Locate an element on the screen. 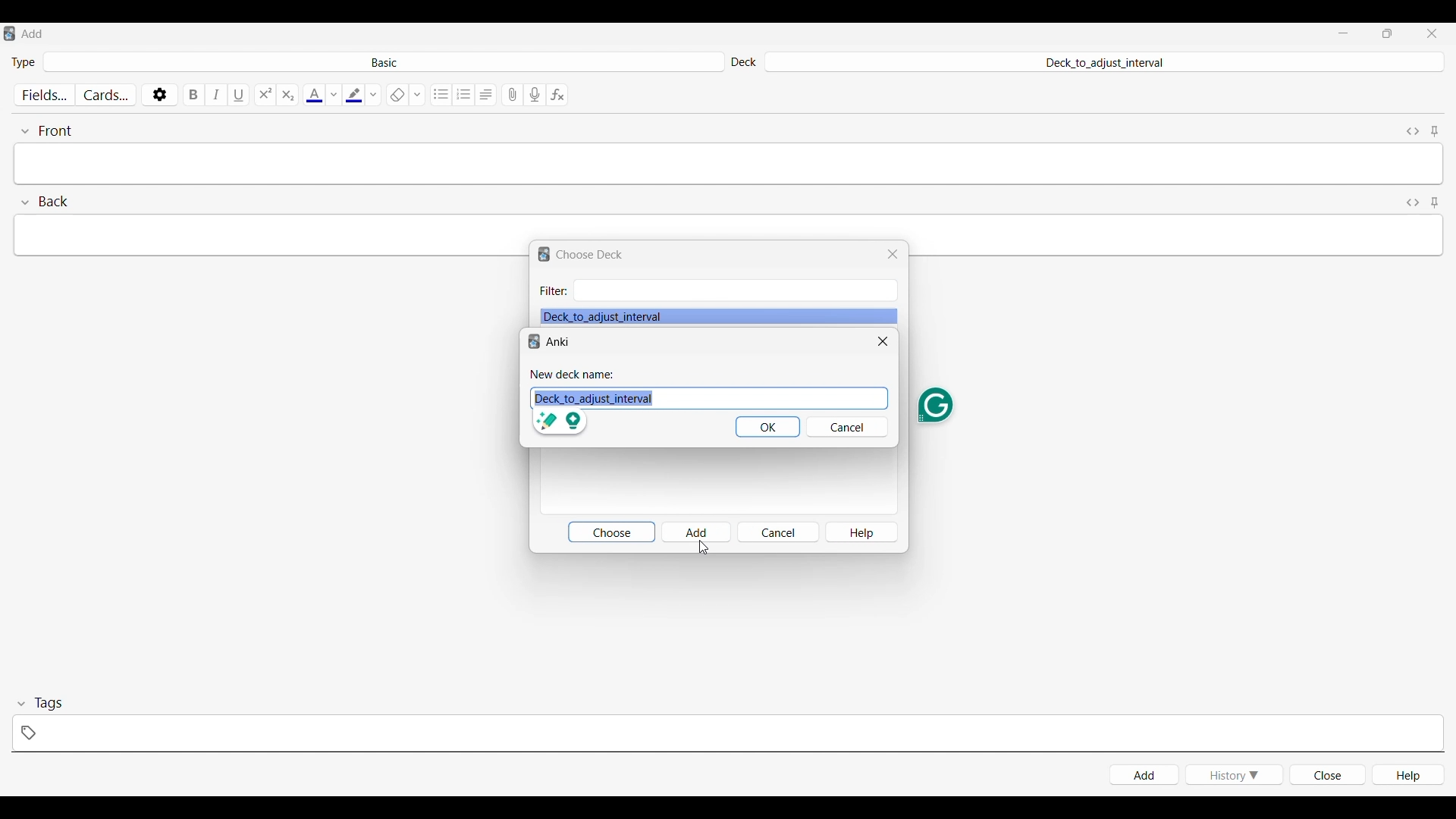 The width and height of the screenshot is (1456, 819). Cursor clicking on Add is located at coordinates (702, 549).